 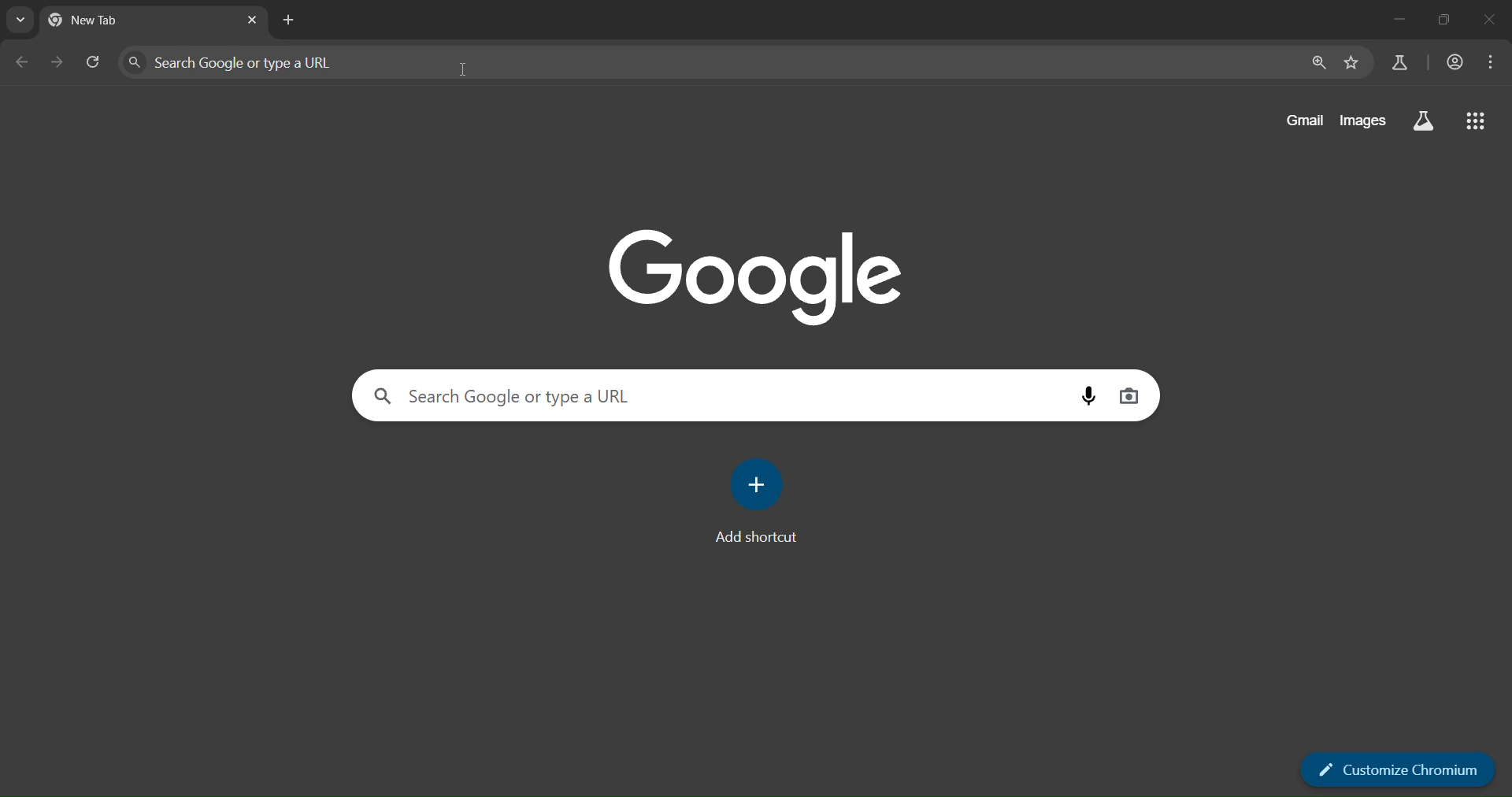 I want to click on Google, so click(x=753, y=276).